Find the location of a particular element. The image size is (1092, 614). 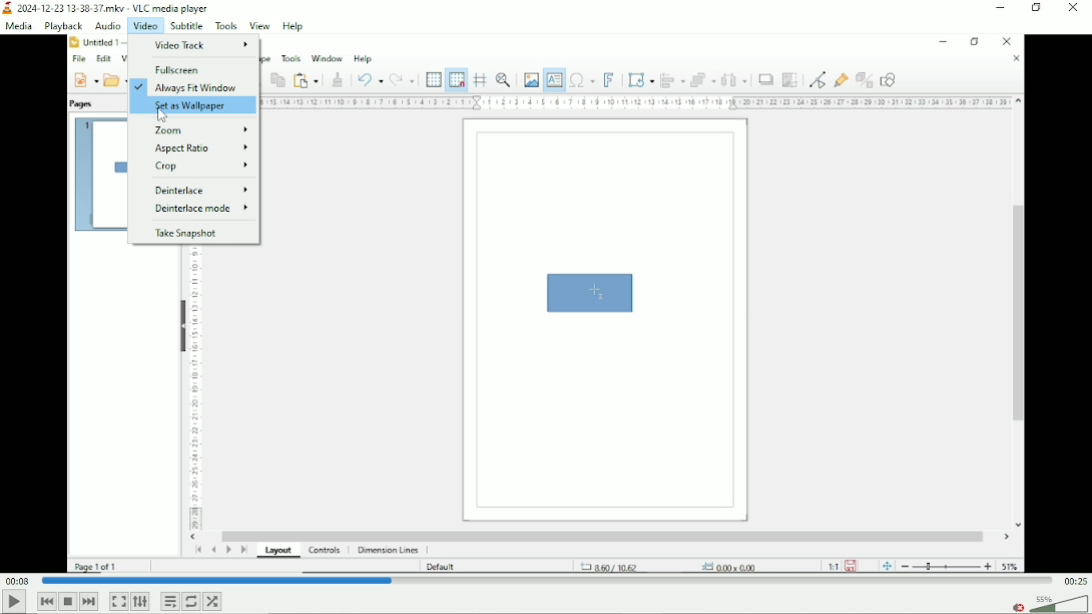

Play duration is located at coordinates (548, 581).